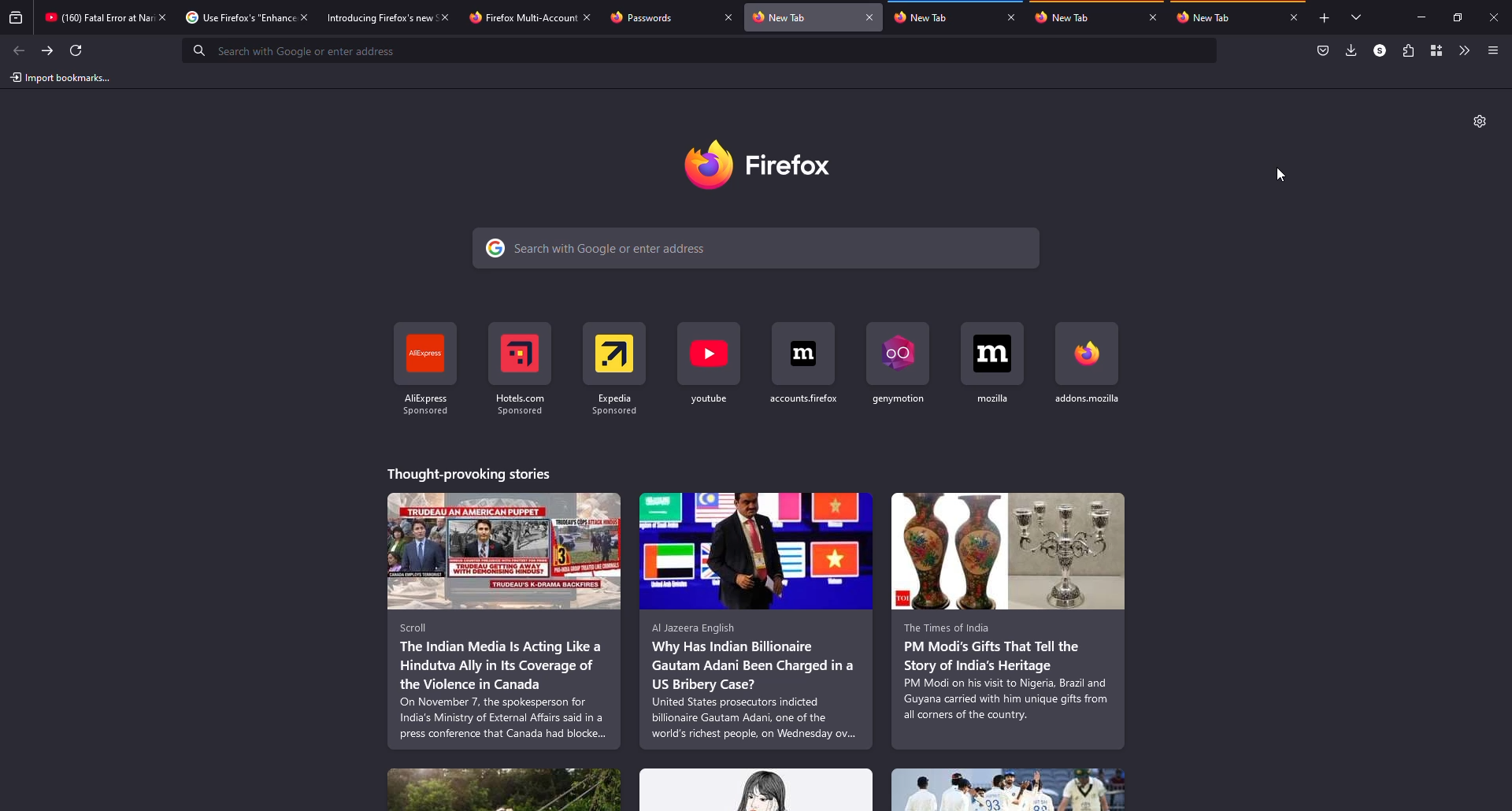 The height and width of the screenshot is (811, 1512). Describe the element at coordinates (513, 17) in the screenshot. I see `tab` at that location.